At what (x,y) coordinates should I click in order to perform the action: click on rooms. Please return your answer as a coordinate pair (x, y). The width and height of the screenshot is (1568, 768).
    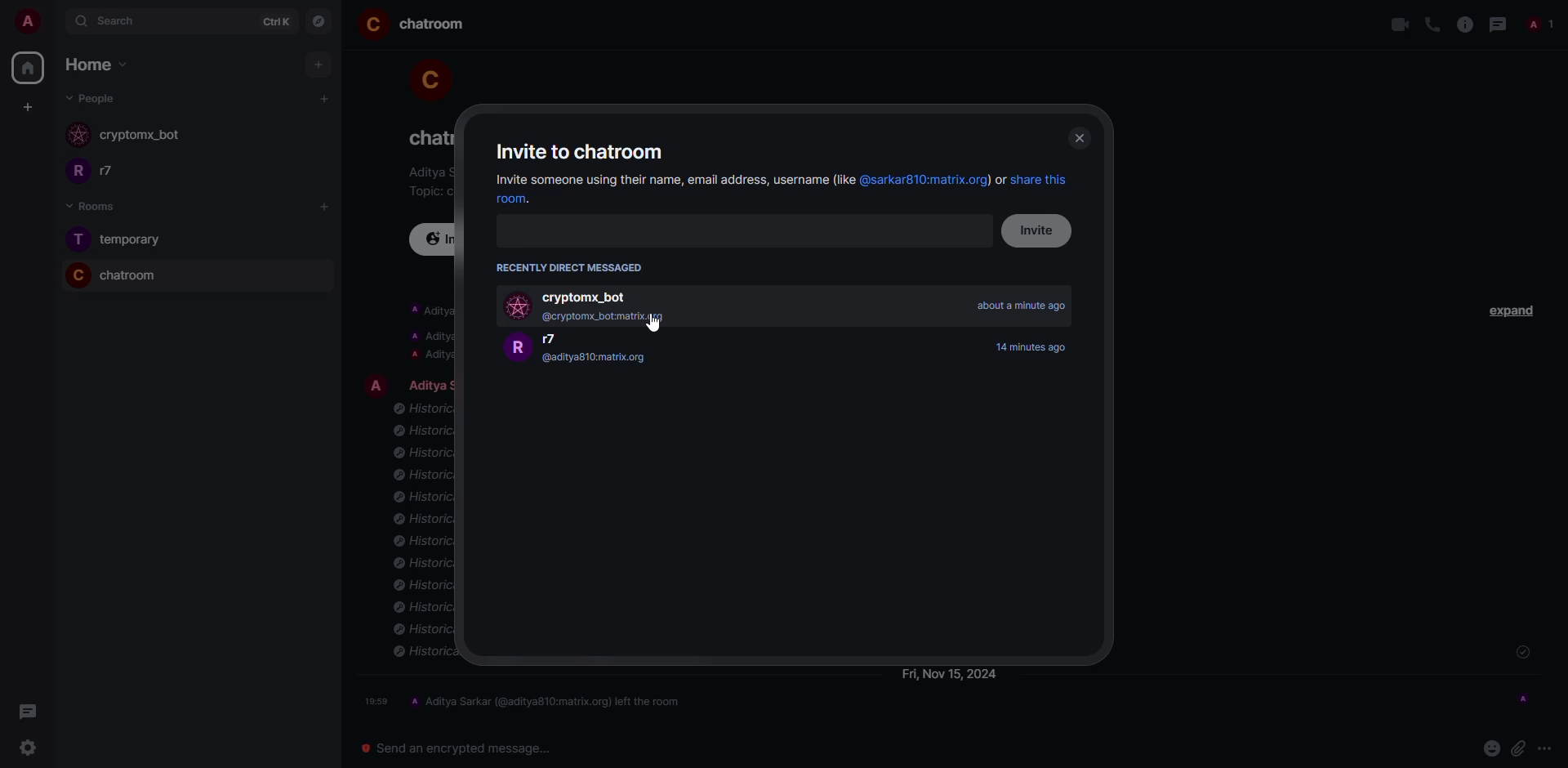
    Looking at the image, I should click on (86, 206).